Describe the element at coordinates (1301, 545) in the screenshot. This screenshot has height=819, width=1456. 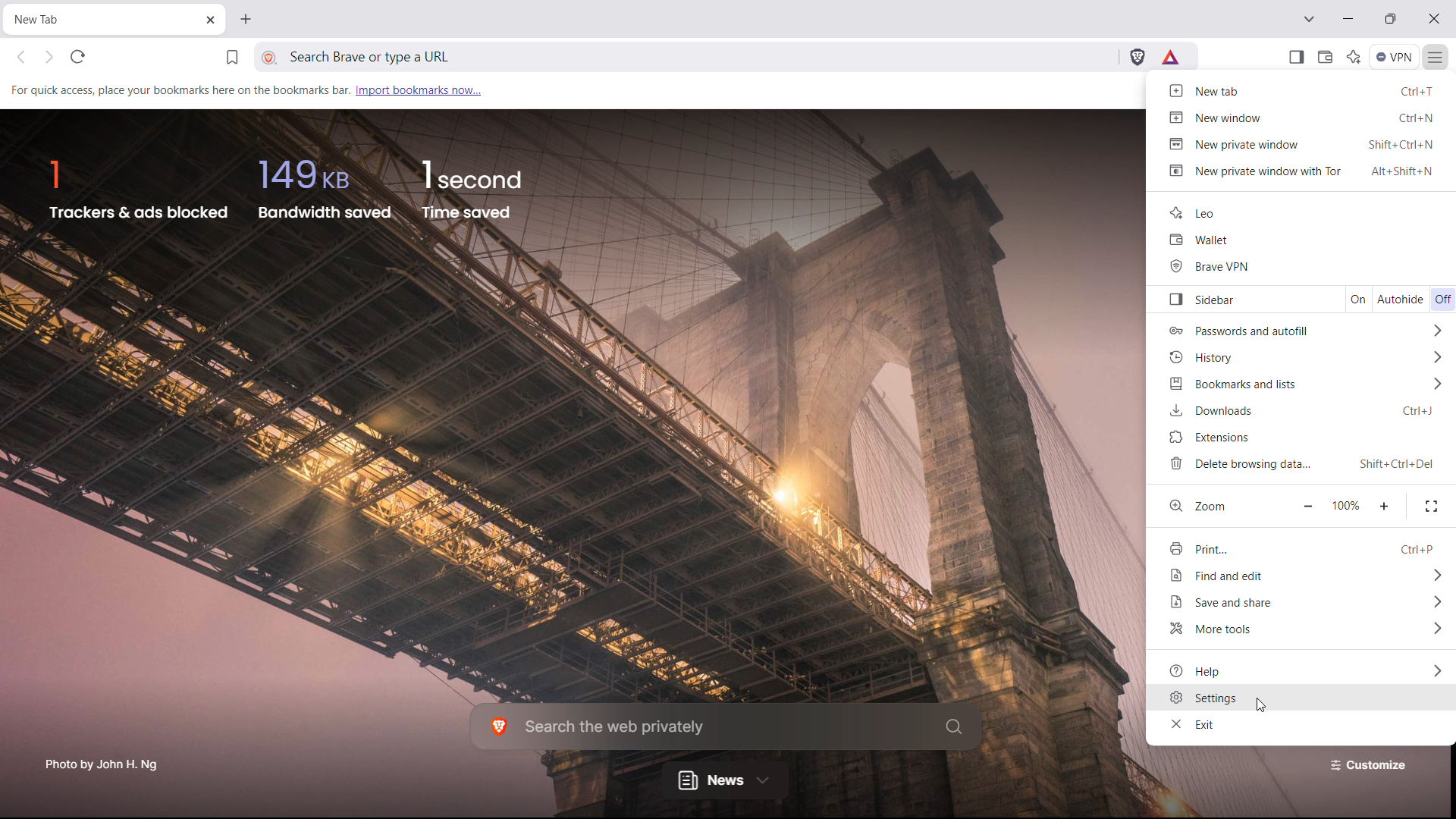
I see `print` at that location.